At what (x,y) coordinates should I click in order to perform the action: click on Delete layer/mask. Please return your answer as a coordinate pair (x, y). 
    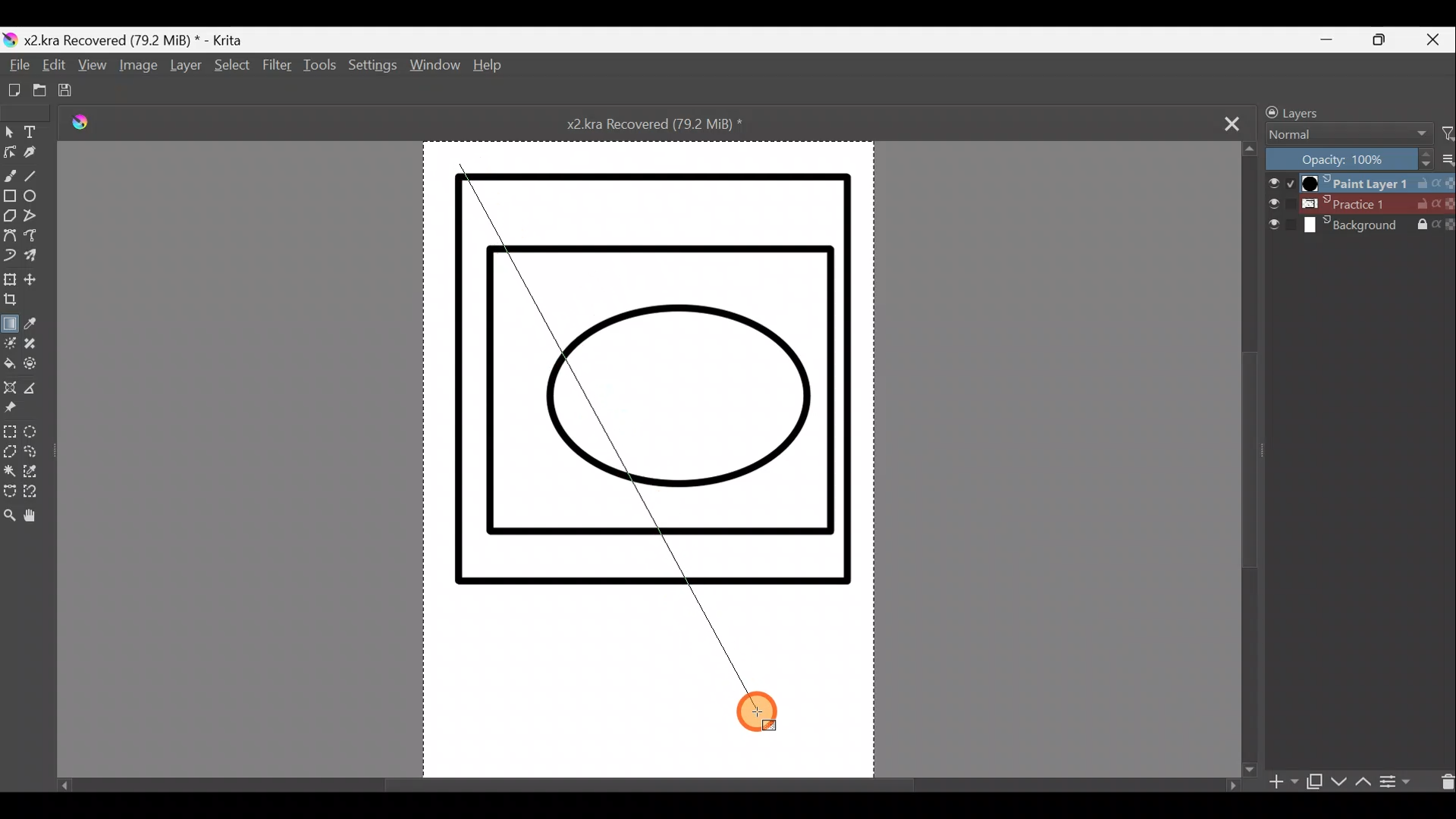
    Looking at the image, I should click on (1443, 780).